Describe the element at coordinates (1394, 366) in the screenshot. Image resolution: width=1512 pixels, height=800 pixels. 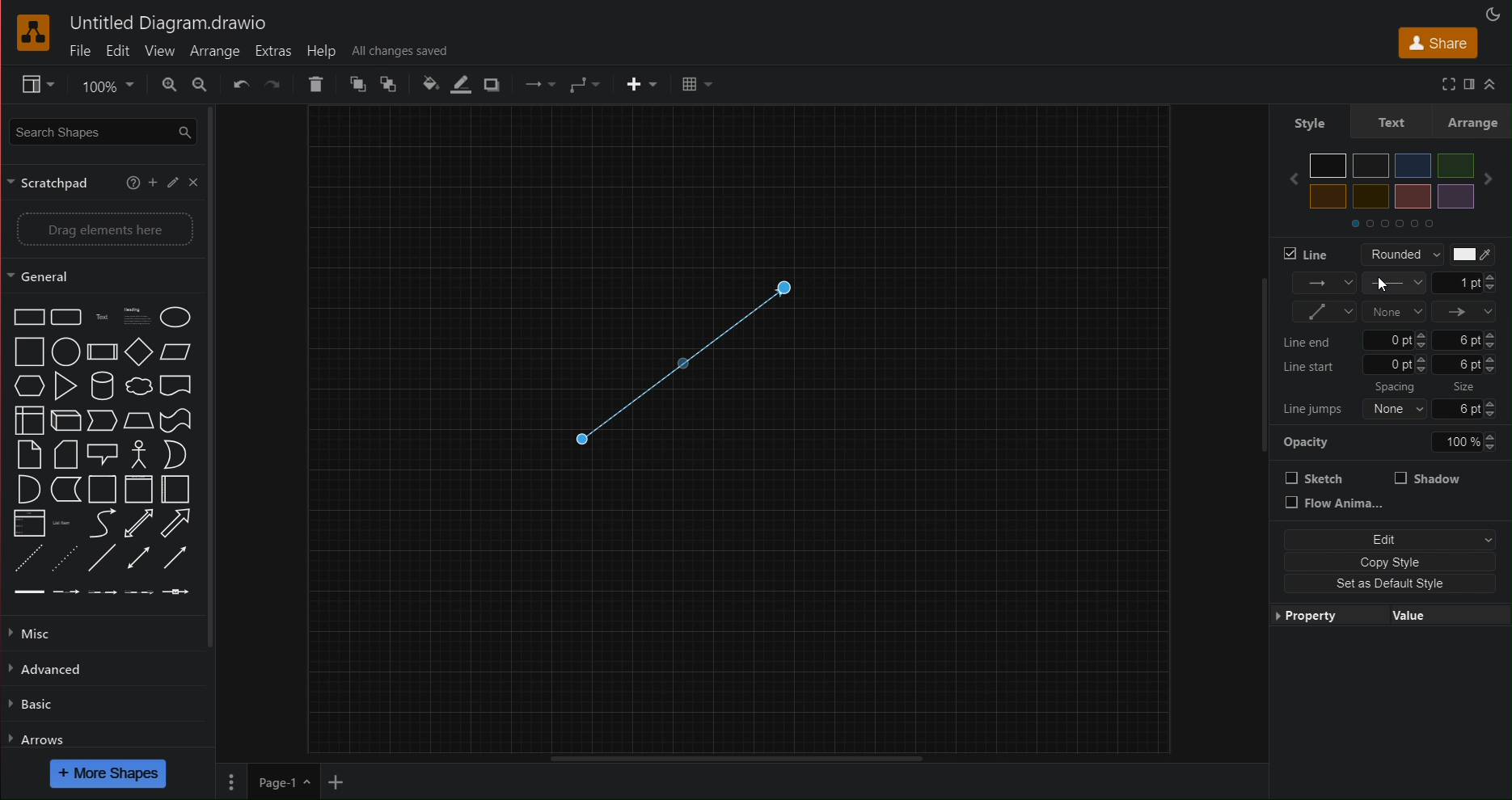
I see `Line start size` at that location.